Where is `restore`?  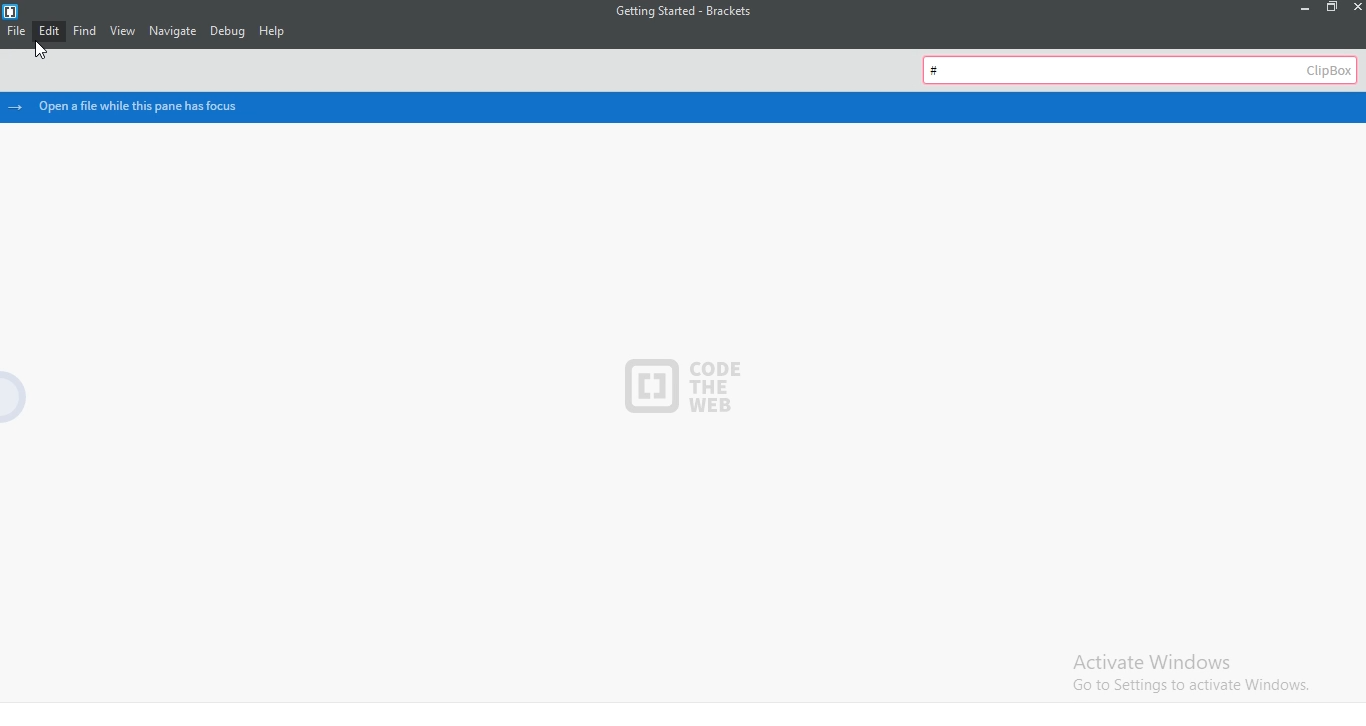
restore is located at coordinates (1330, 9).